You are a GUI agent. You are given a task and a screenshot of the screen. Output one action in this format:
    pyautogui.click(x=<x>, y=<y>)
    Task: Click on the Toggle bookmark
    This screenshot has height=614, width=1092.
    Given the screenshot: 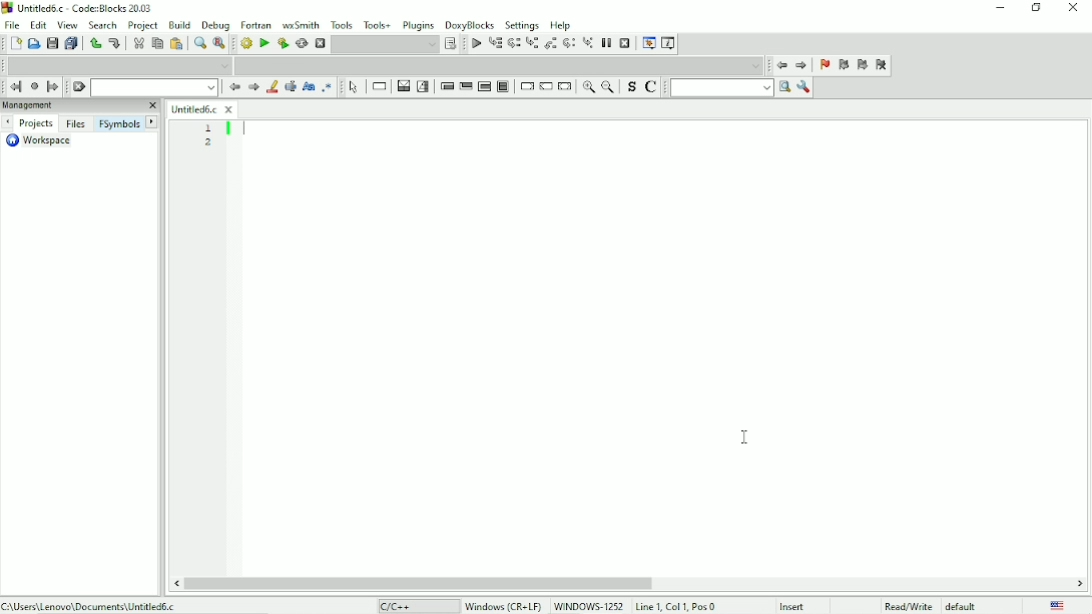 What is the action you would take?
    pyautogui.click(x=825, y=66)
    